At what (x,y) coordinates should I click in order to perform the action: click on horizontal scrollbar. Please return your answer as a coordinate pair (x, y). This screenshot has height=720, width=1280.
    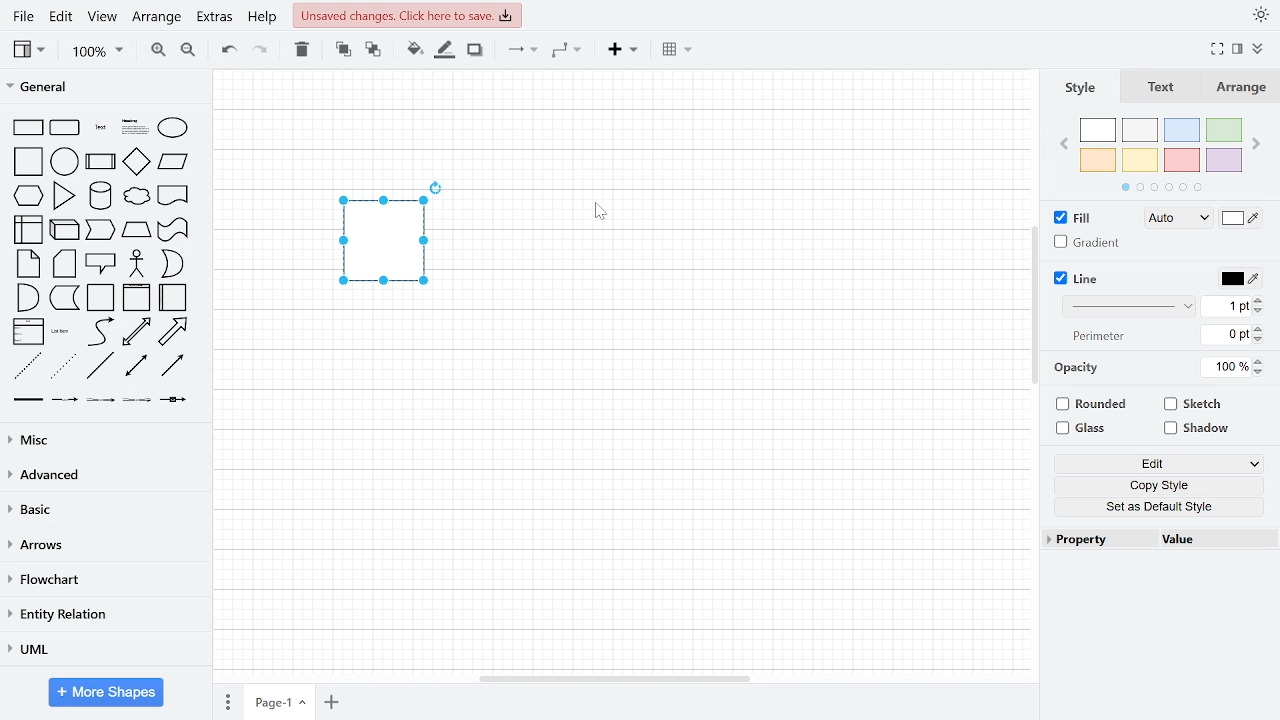
    Looking at the image, I should click on (614, 678).